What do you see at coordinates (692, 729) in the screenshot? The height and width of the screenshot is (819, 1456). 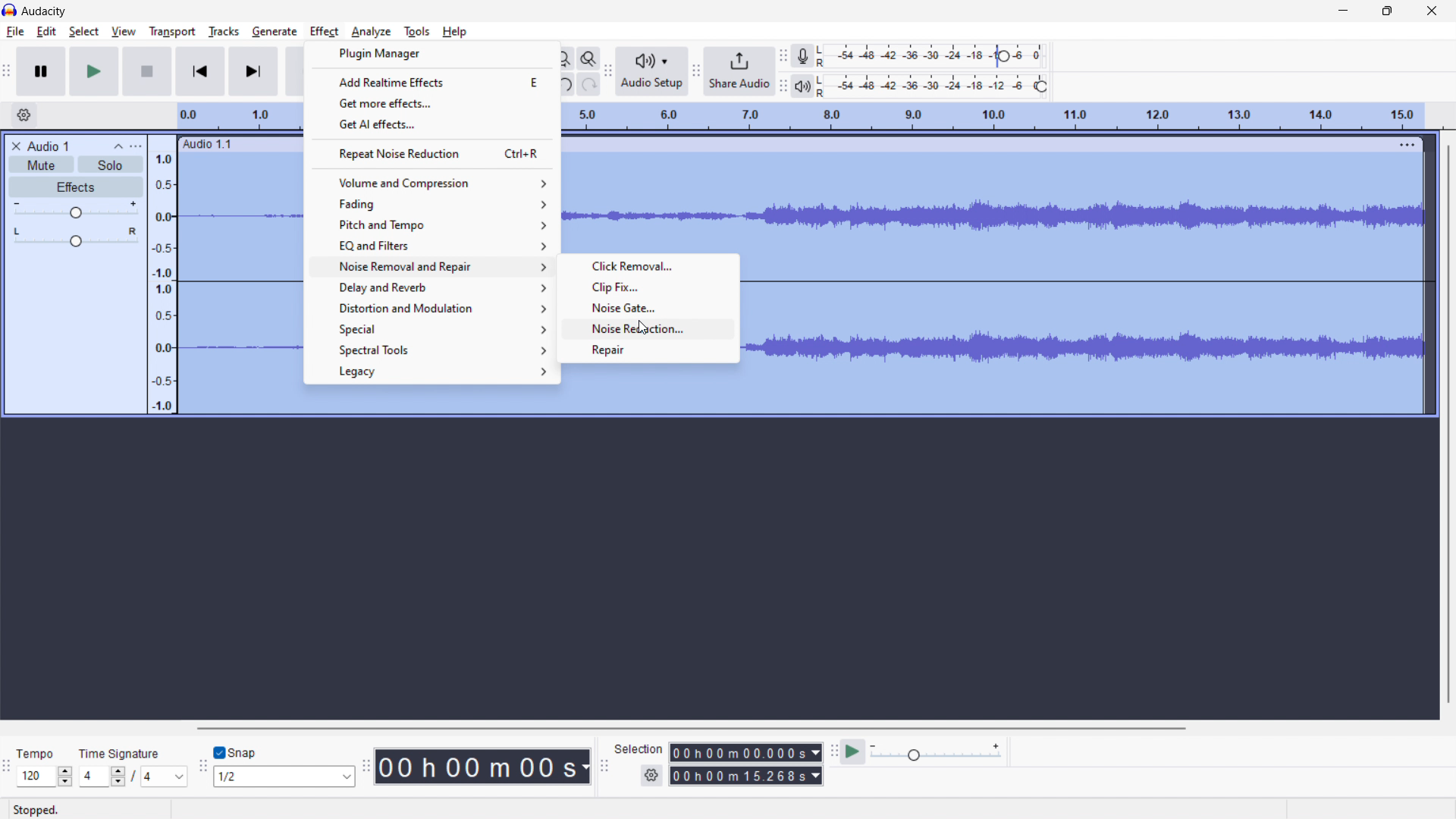 I see `horizontal scrollbar` at bounding box center [692, 729].